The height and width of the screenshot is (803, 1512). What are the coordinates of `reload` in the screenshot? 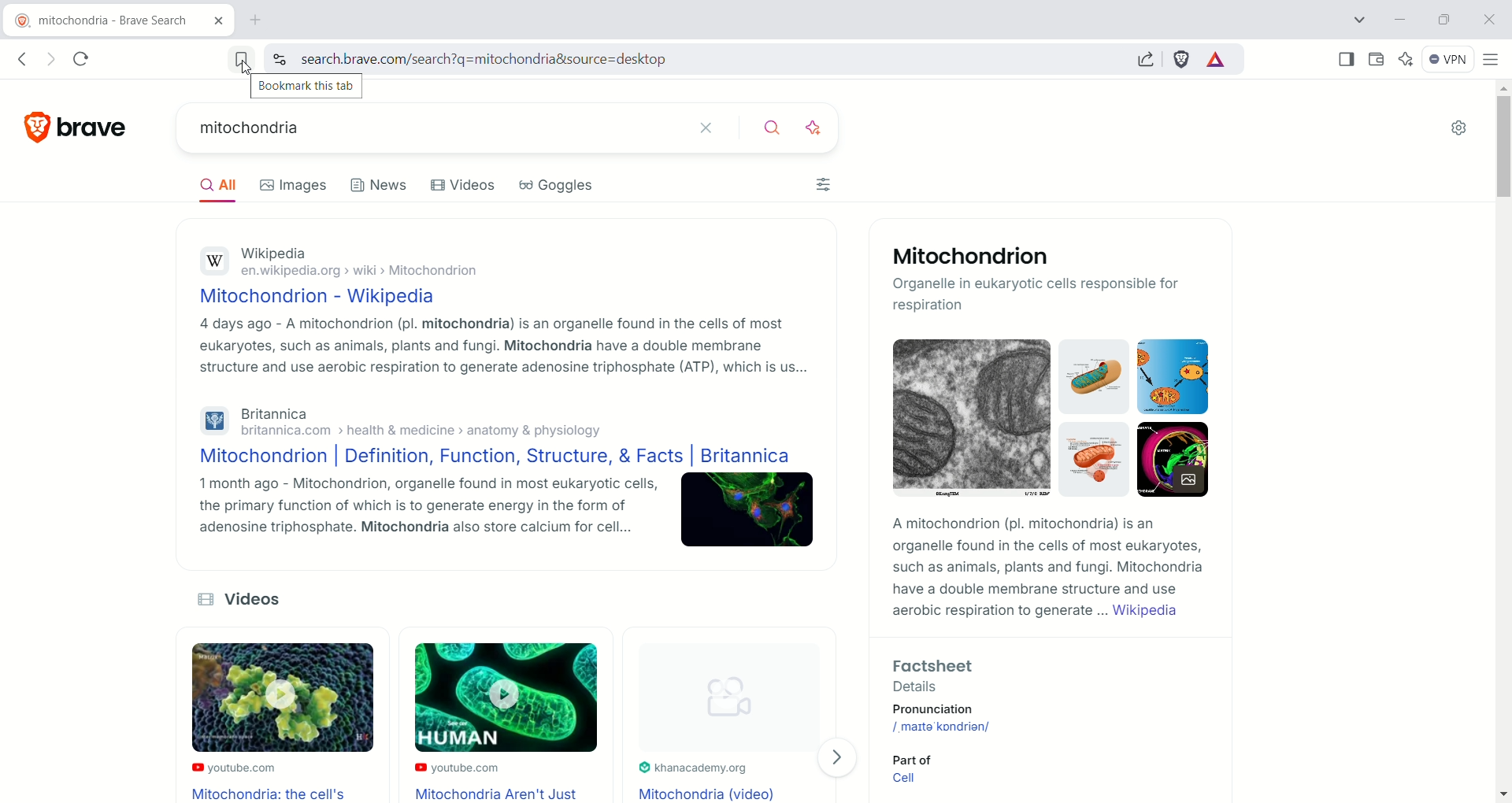 It's located at (83, 57).